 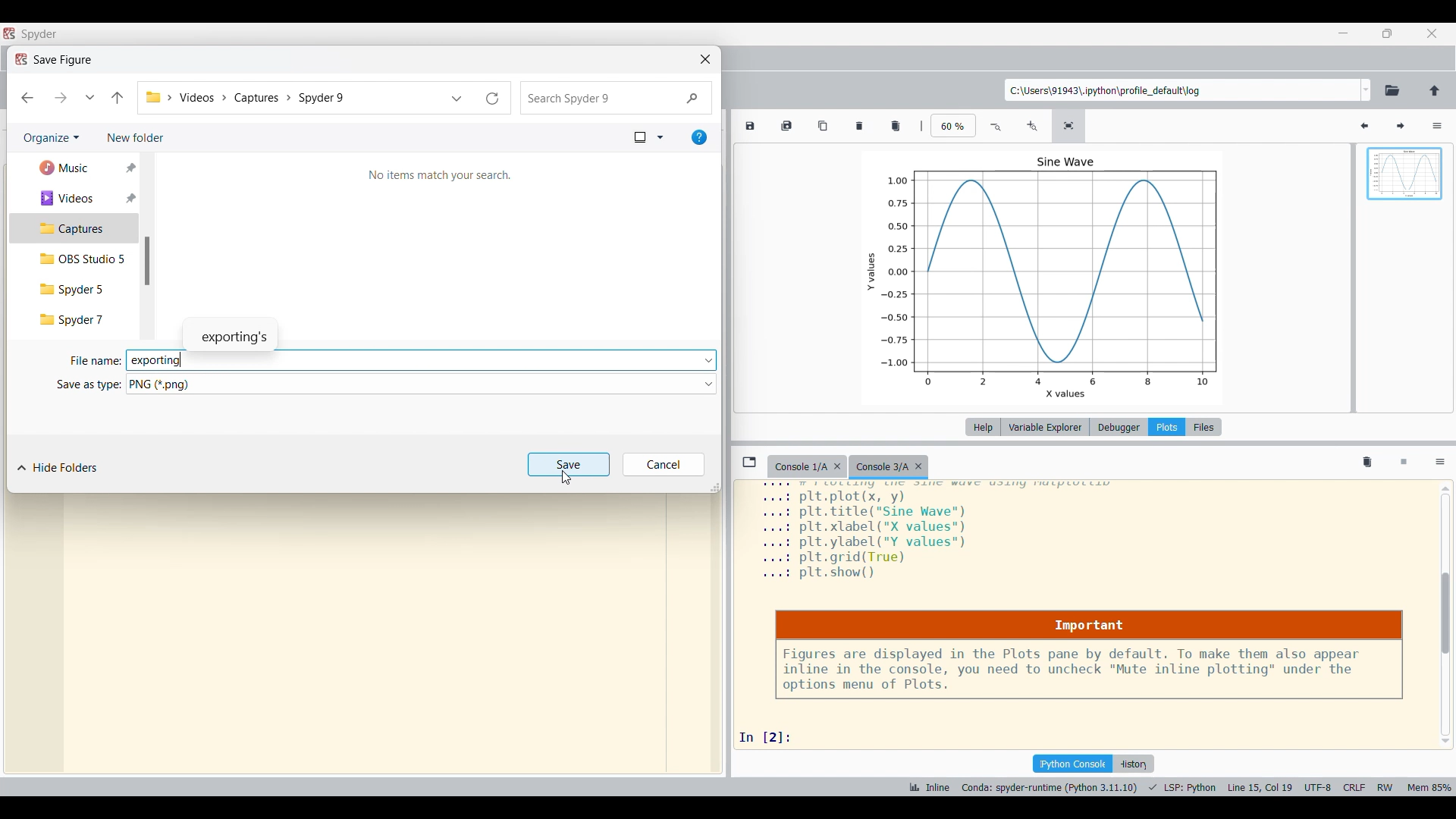 What do you see at coordinates (927, 787) in the screenshot?
I see `INLINE` at bounding box center [927, 787].